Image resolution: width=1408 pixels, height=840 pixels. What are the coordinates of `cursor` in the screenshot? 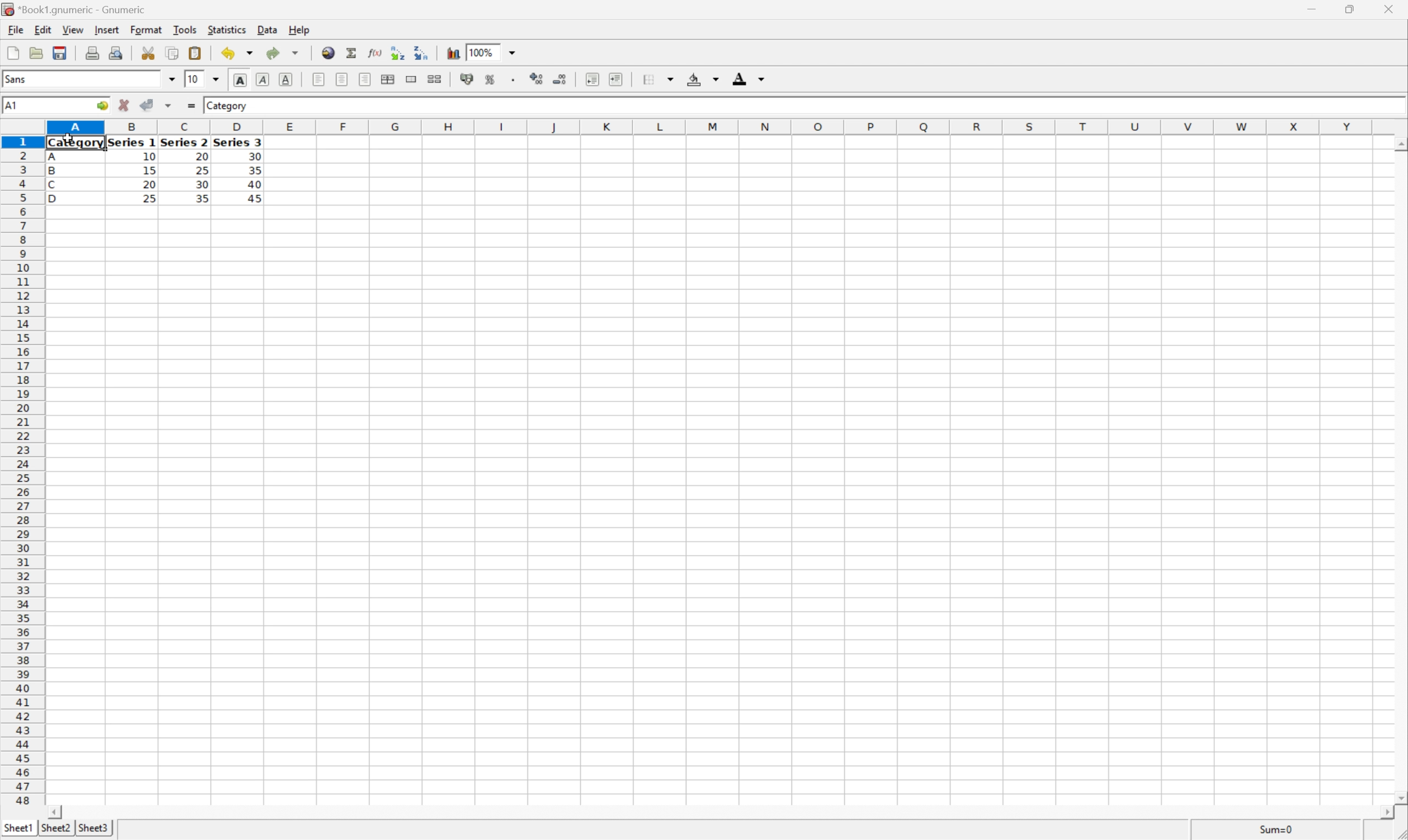 It's located at (68, 137).